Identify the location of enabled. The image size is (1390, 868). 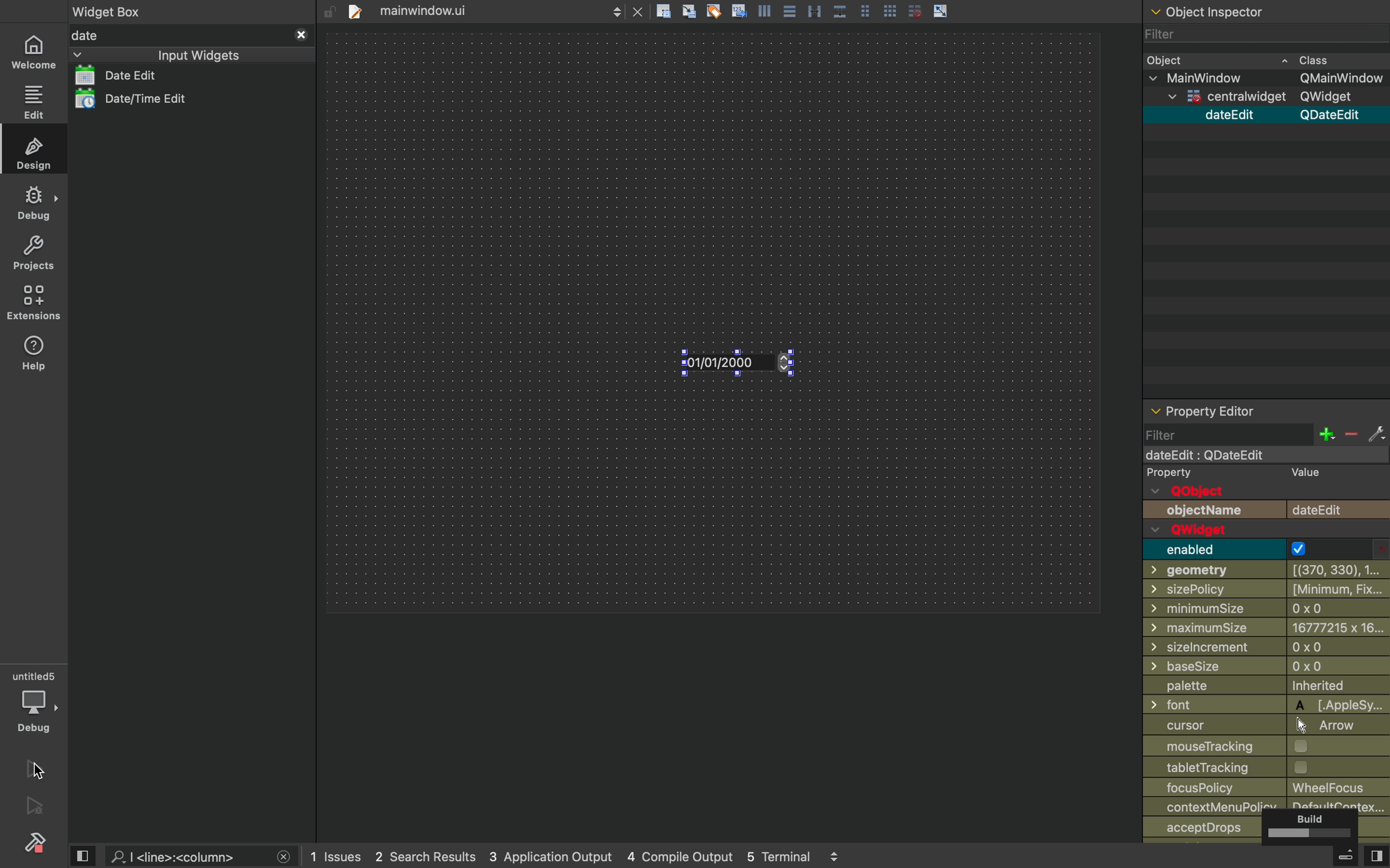
(1268, 549).